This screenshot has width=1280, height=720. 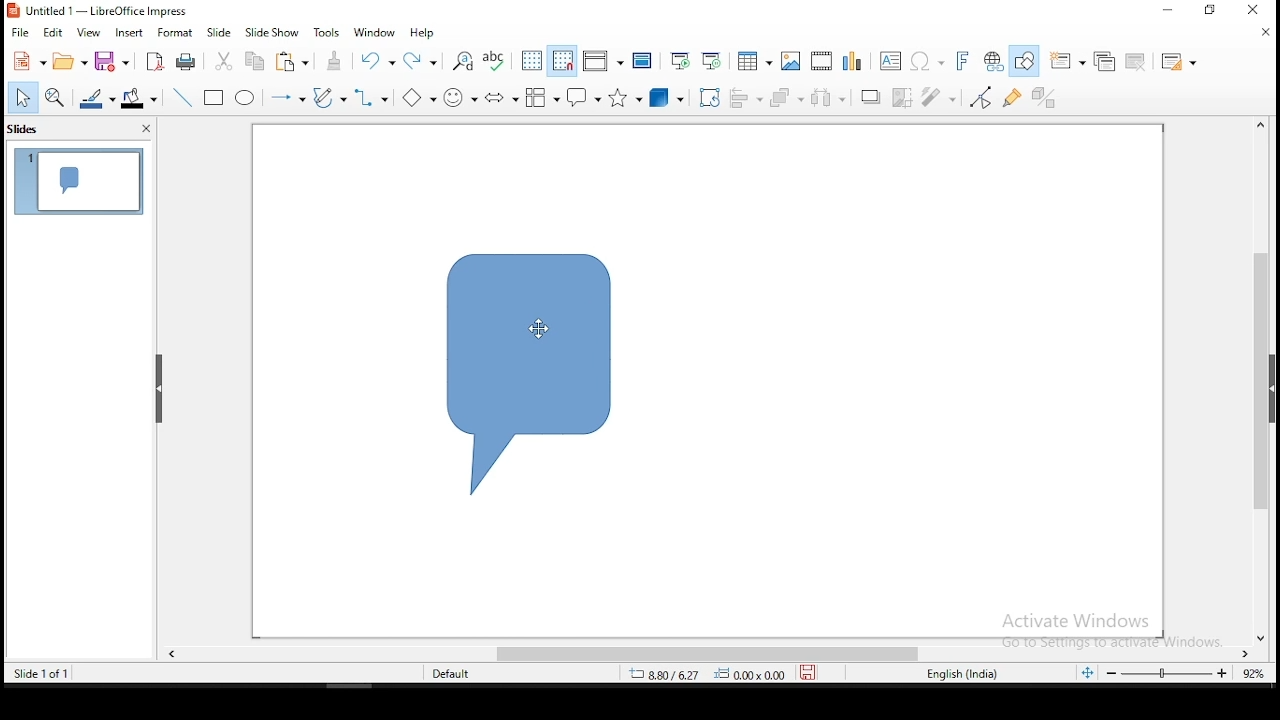 What do you see at coordinates (495, 61) in the screenshot?
I see `spell check` at bounding box center [495, 61].